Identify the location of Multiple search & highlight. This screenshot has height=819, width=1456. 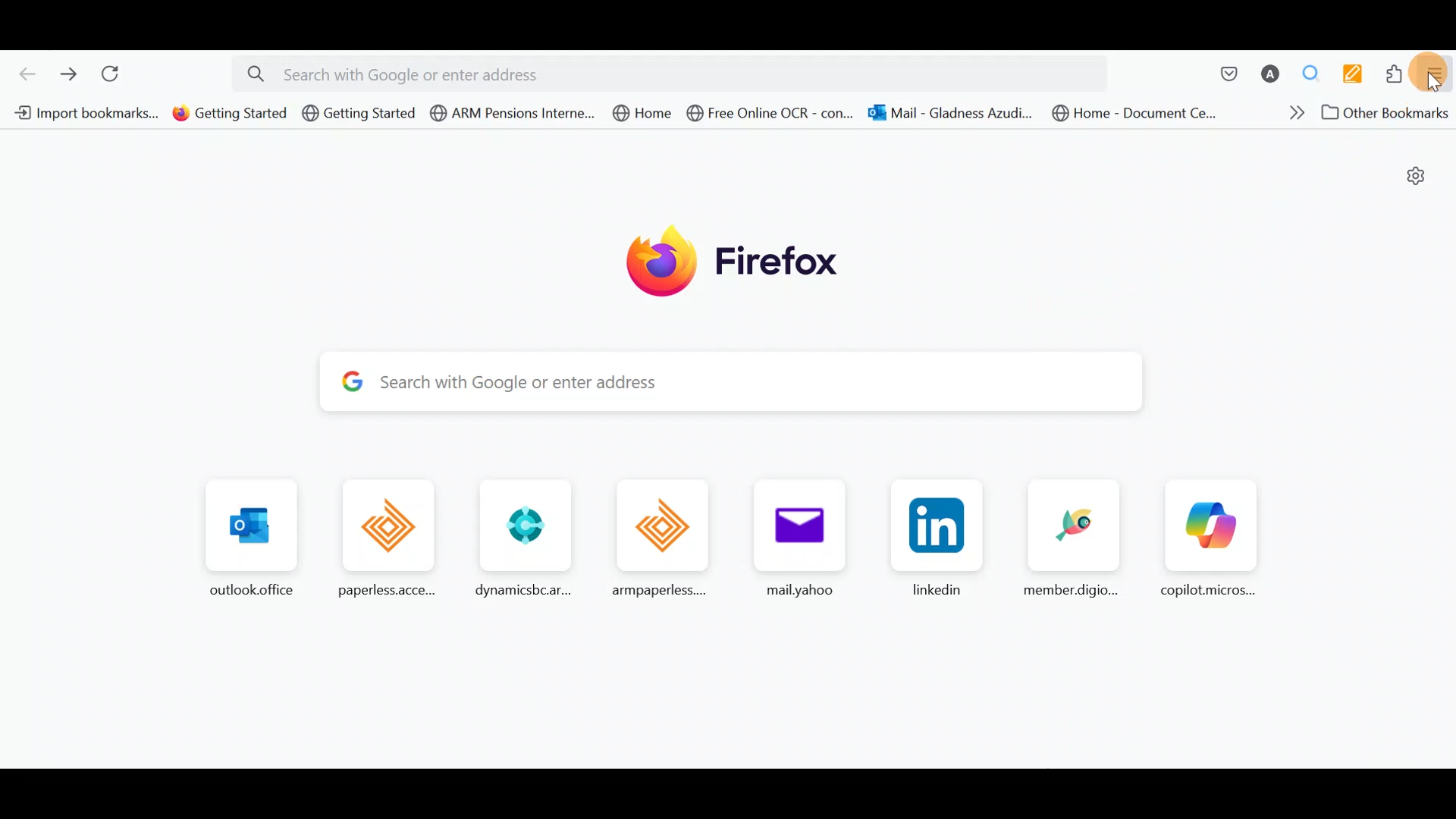
(1305, 75).